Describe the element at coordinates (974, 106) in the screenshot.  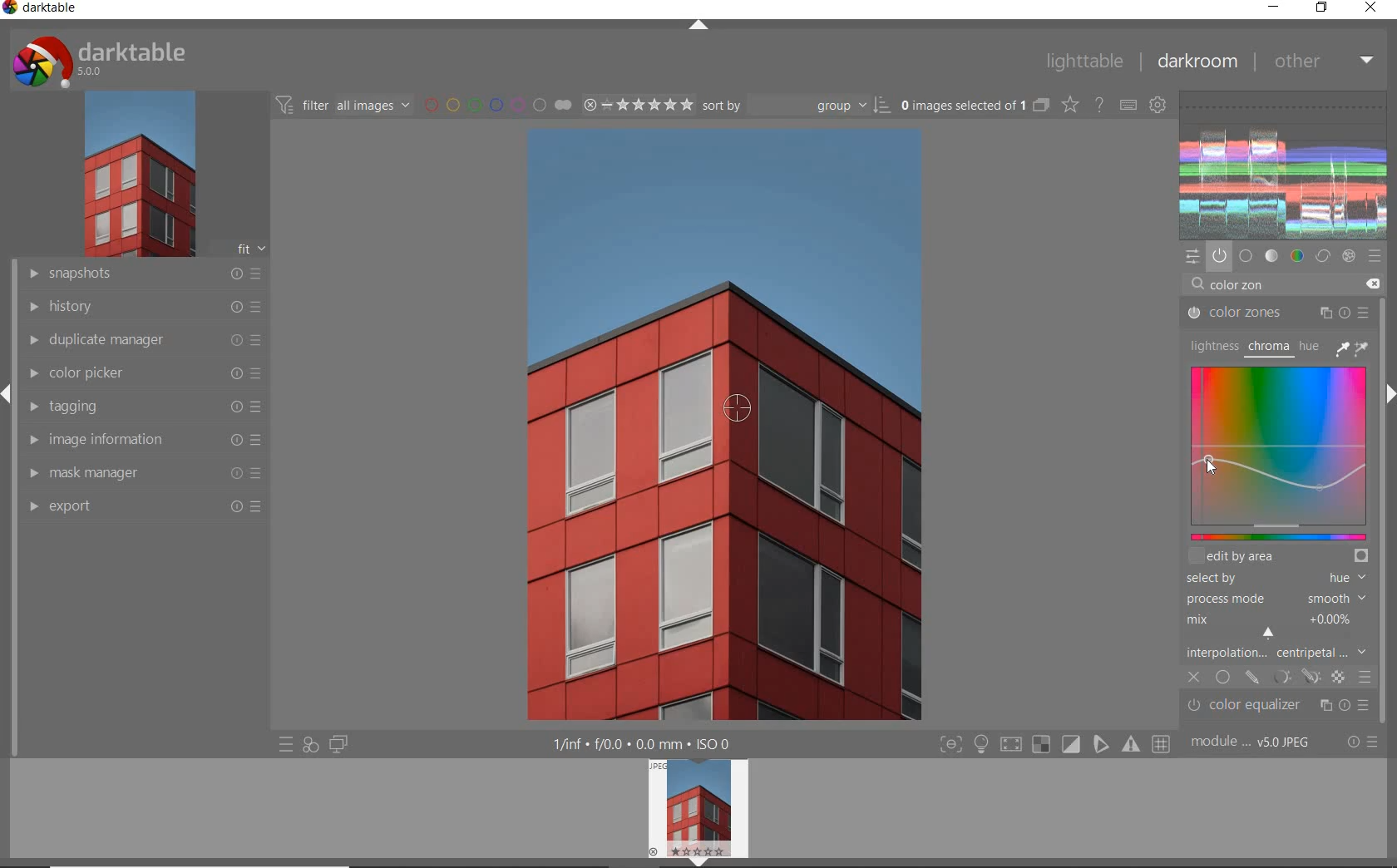
I see `selected images` at that location.